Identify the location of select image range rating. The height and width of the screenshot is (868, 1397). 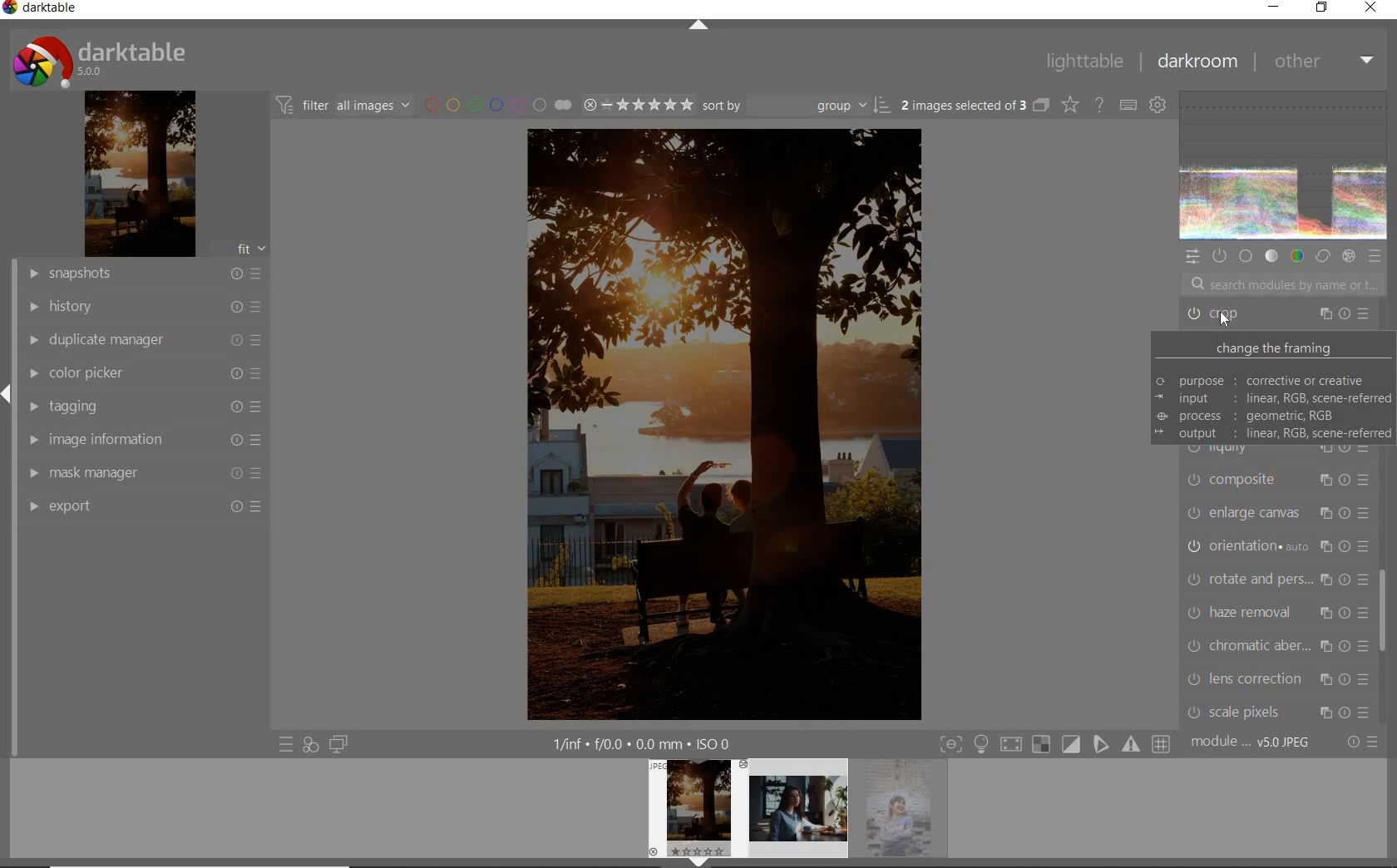
(635, 105).